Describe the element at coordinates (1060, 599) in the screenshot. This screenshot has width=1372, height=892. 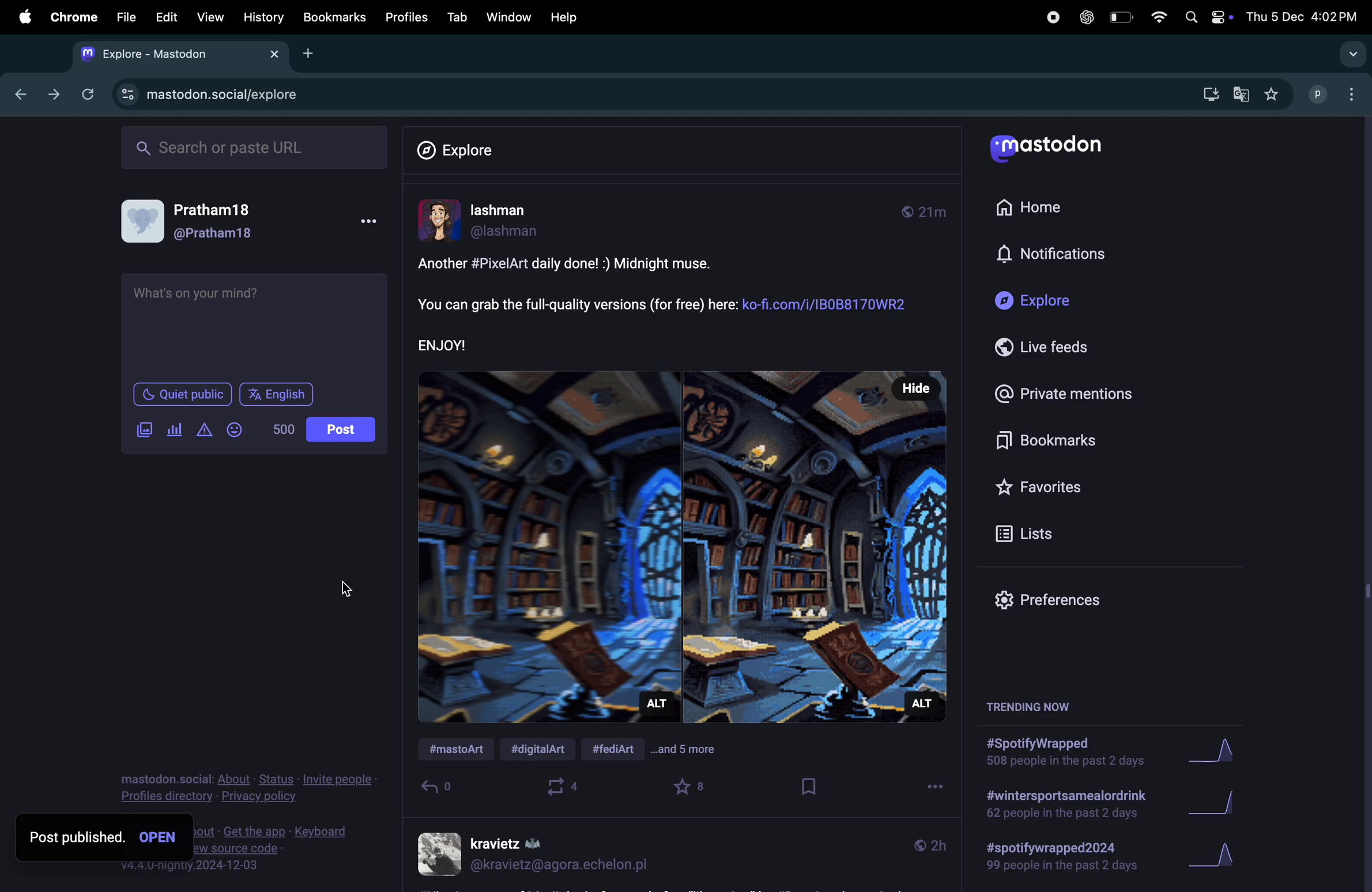
I see `prefrences` at that location.